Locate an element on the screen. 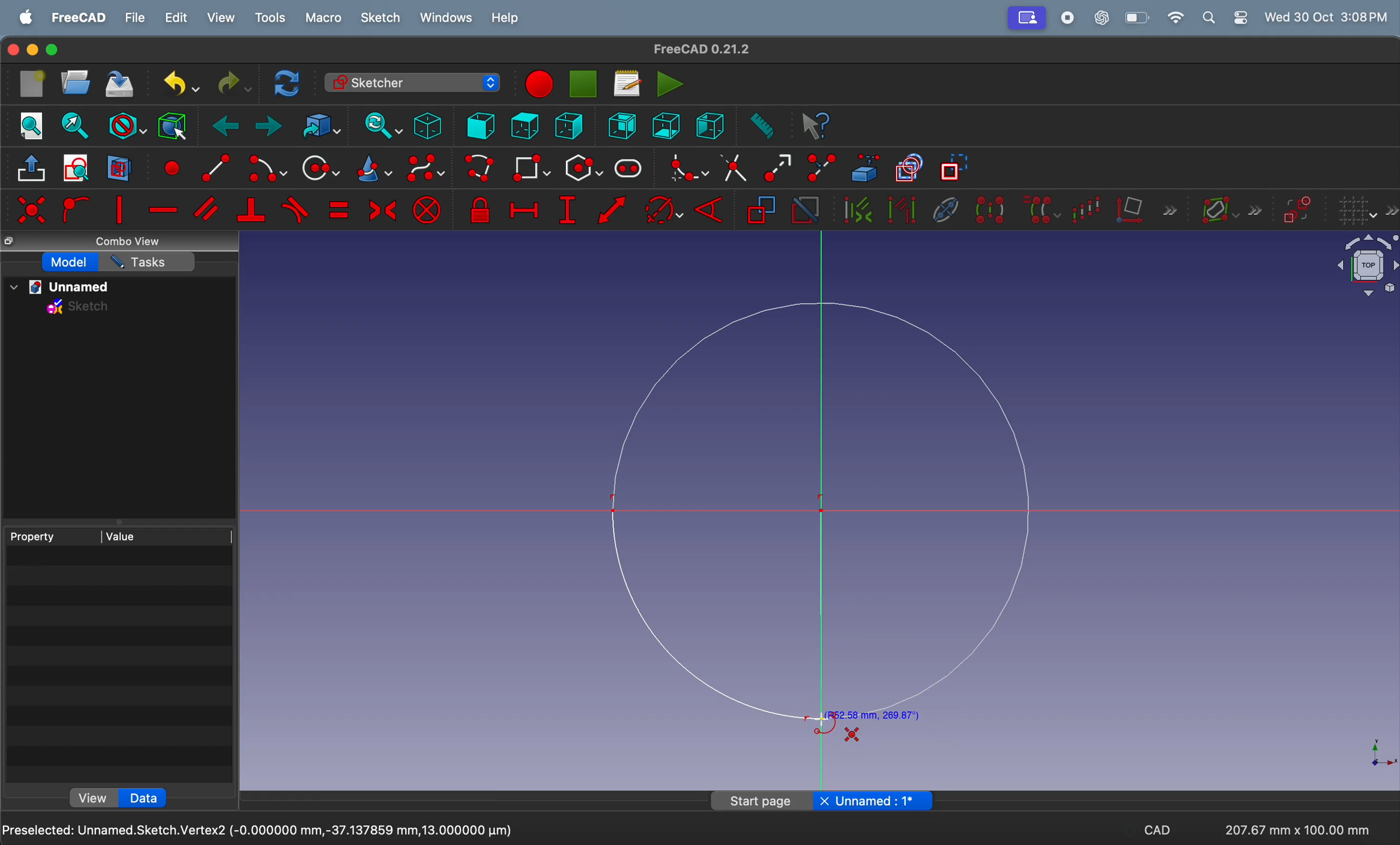  create slot is located at coordinates (628, 169).